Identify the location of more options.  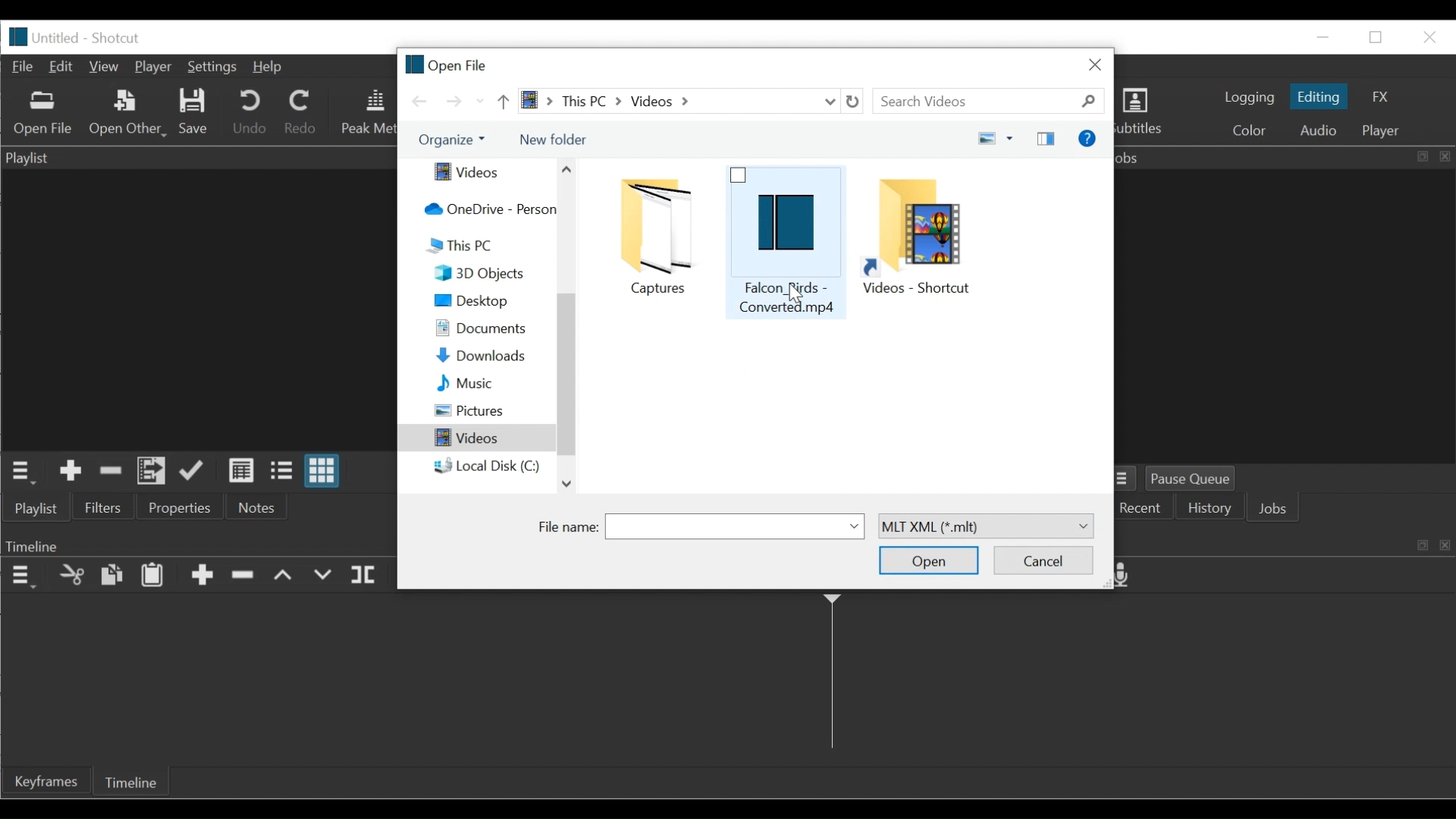
(1012, 137).